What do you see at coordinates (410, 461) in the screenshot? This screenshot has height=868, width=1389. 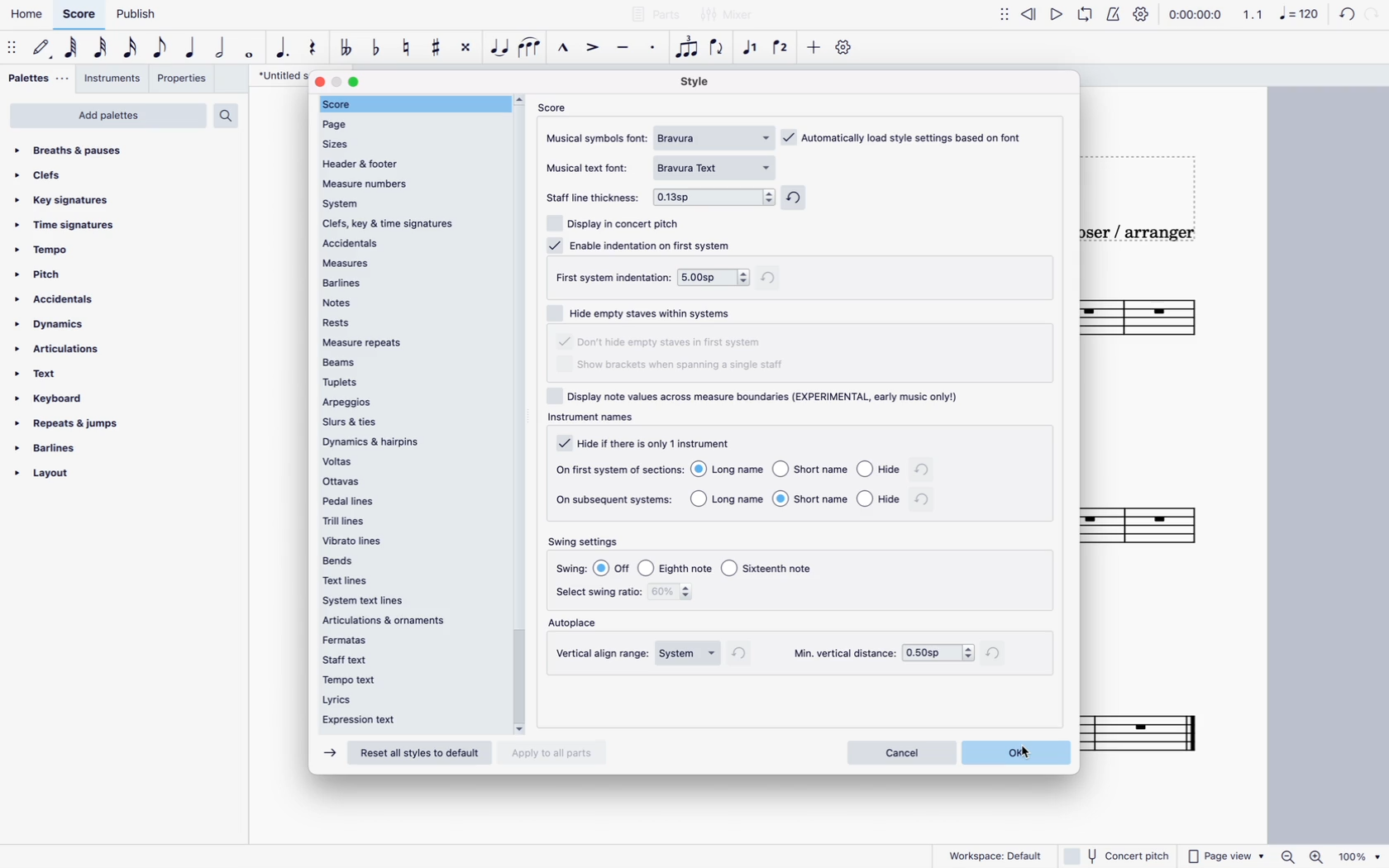 I see `voltas` at bounding box center [410, 461].